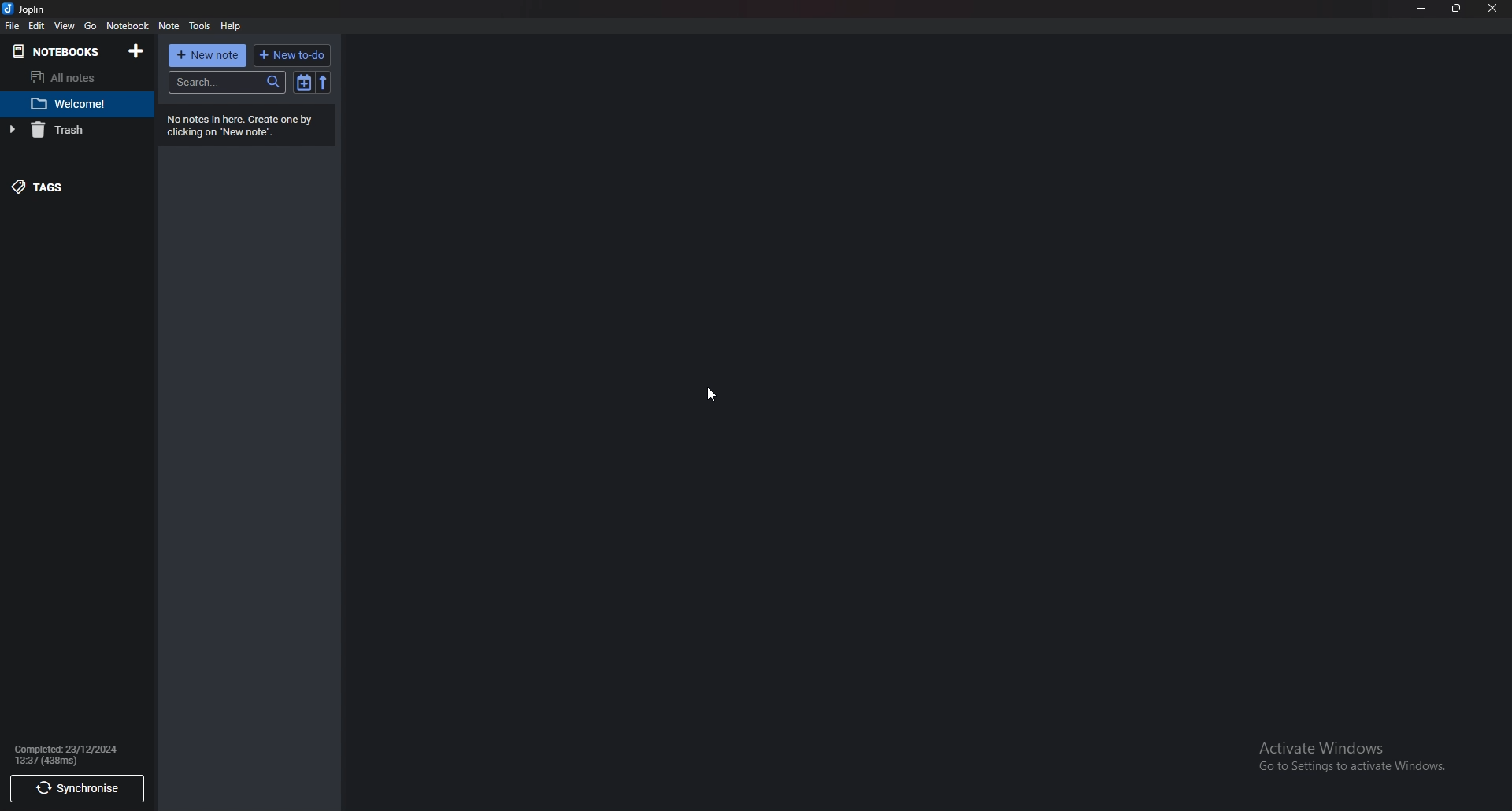 This screenshot has width=1512, height=811. I want to click on Welcome, so click(71, 106).